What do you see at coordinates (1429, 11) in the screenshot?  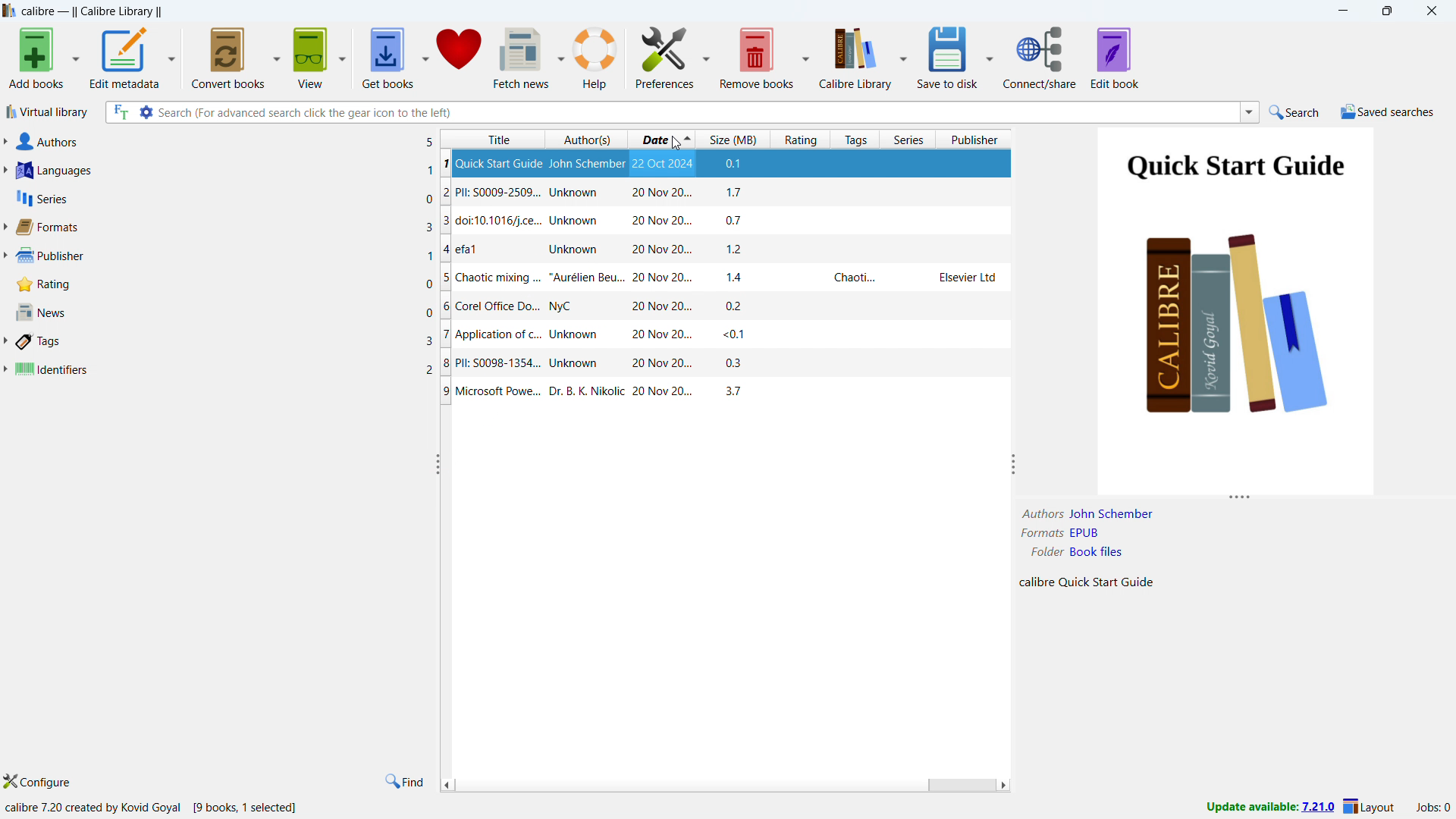 I see `close` at bounding box center [1429, 11].